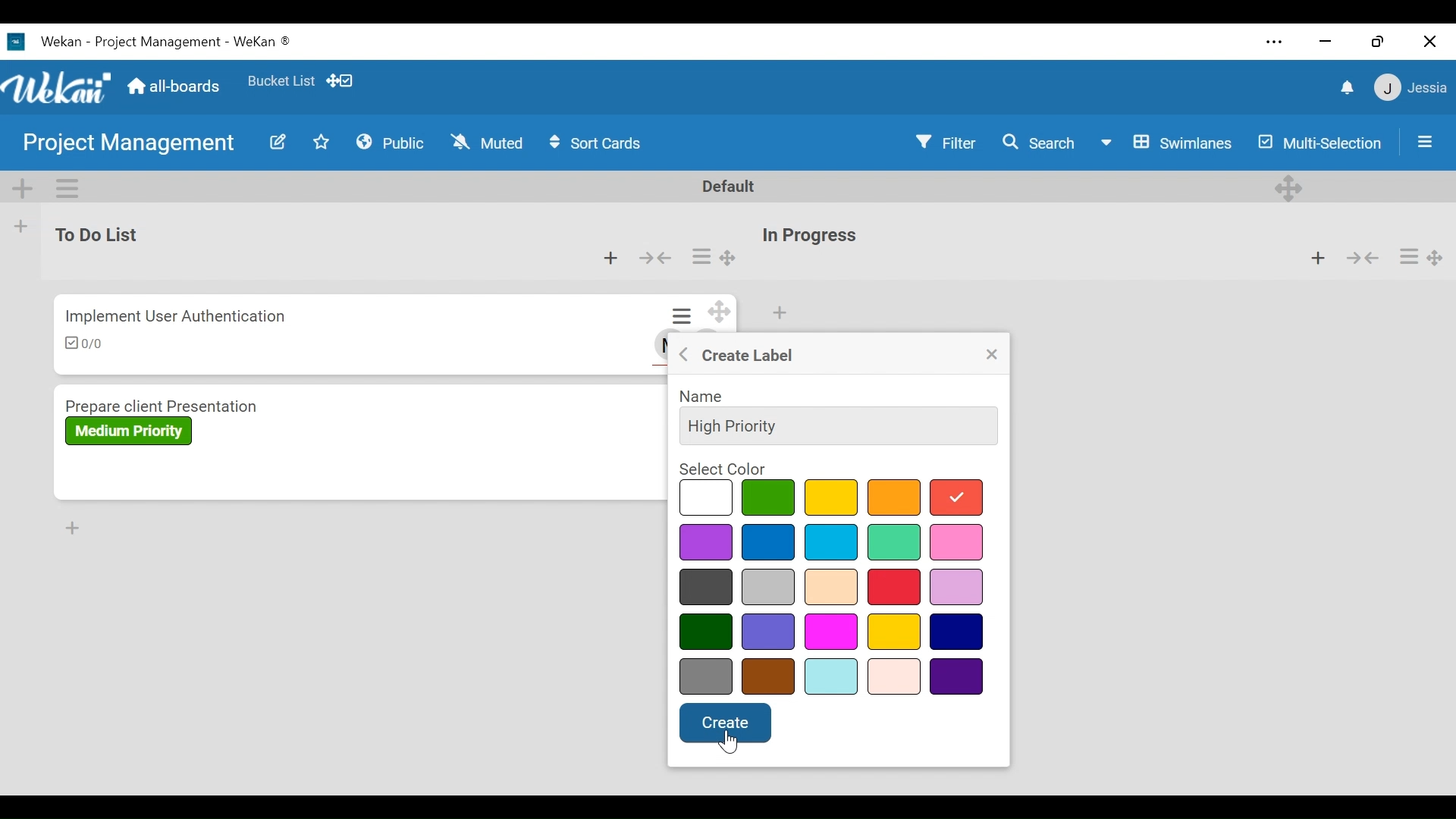  What do you see at coordinates (838, 426) in the screenshot?
I see `Name Field` at bounding box center [838, 426].